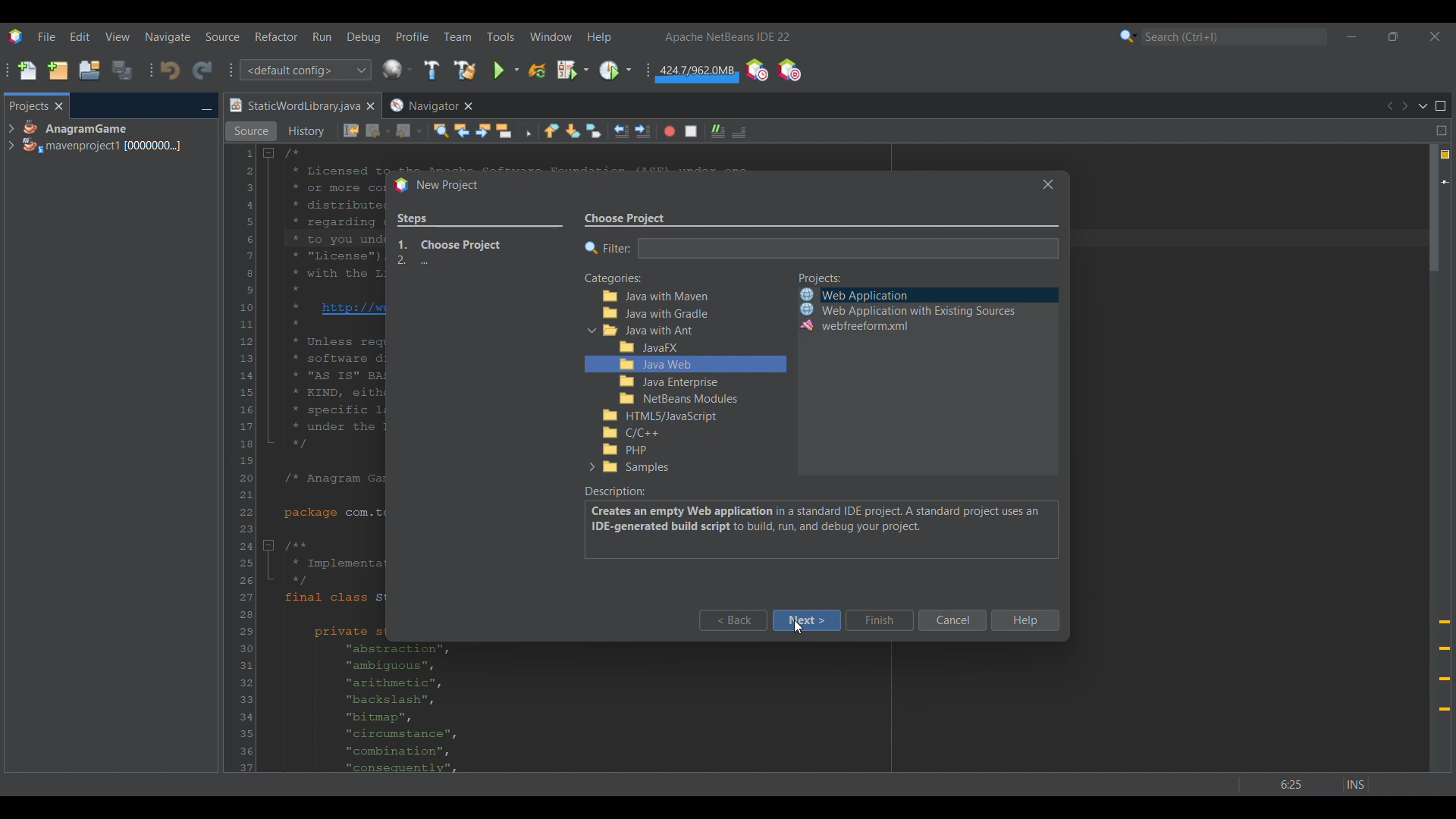  I want to click on Debug menu, so click(364, 37).